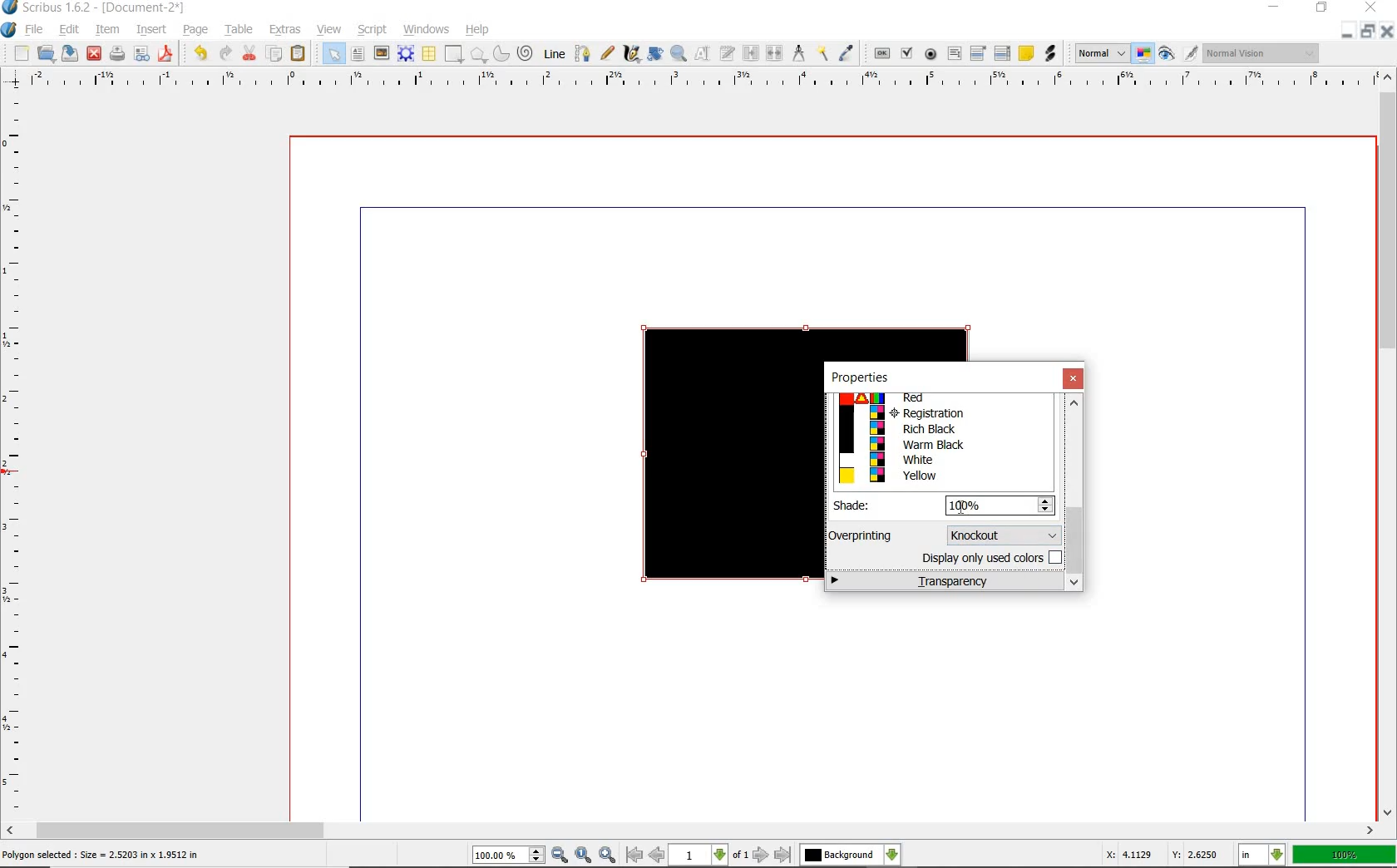 Image resolution: width=1397 pixels, height=868 pixels. What do you see at coordinates (167, 54) in the screenshot?
I see `save as pdf` at bounding box center [167, 54].